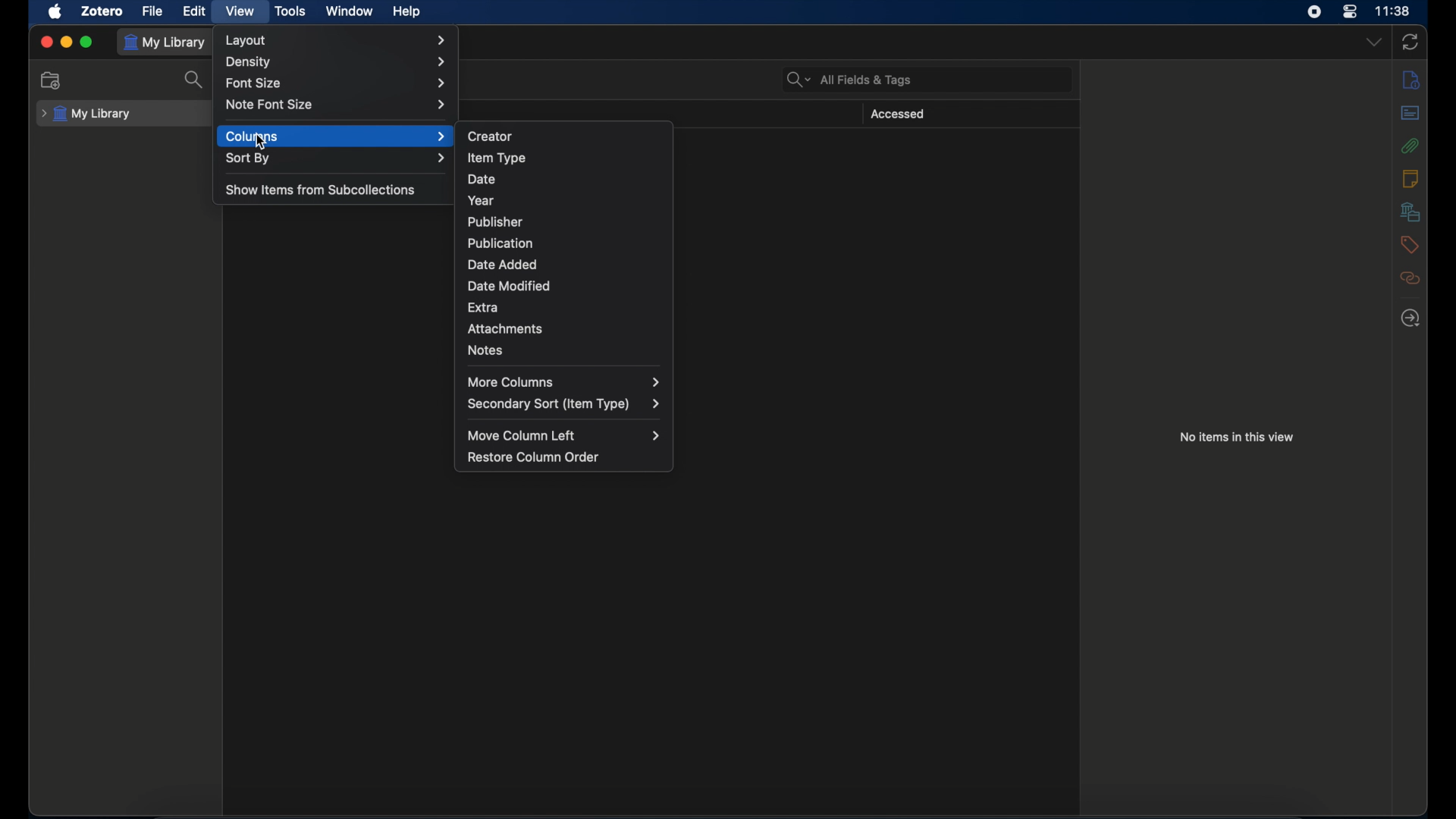 Image resolution: width=1456 pixels, height=819 pixels. I want to click on search, so click(194, 79).